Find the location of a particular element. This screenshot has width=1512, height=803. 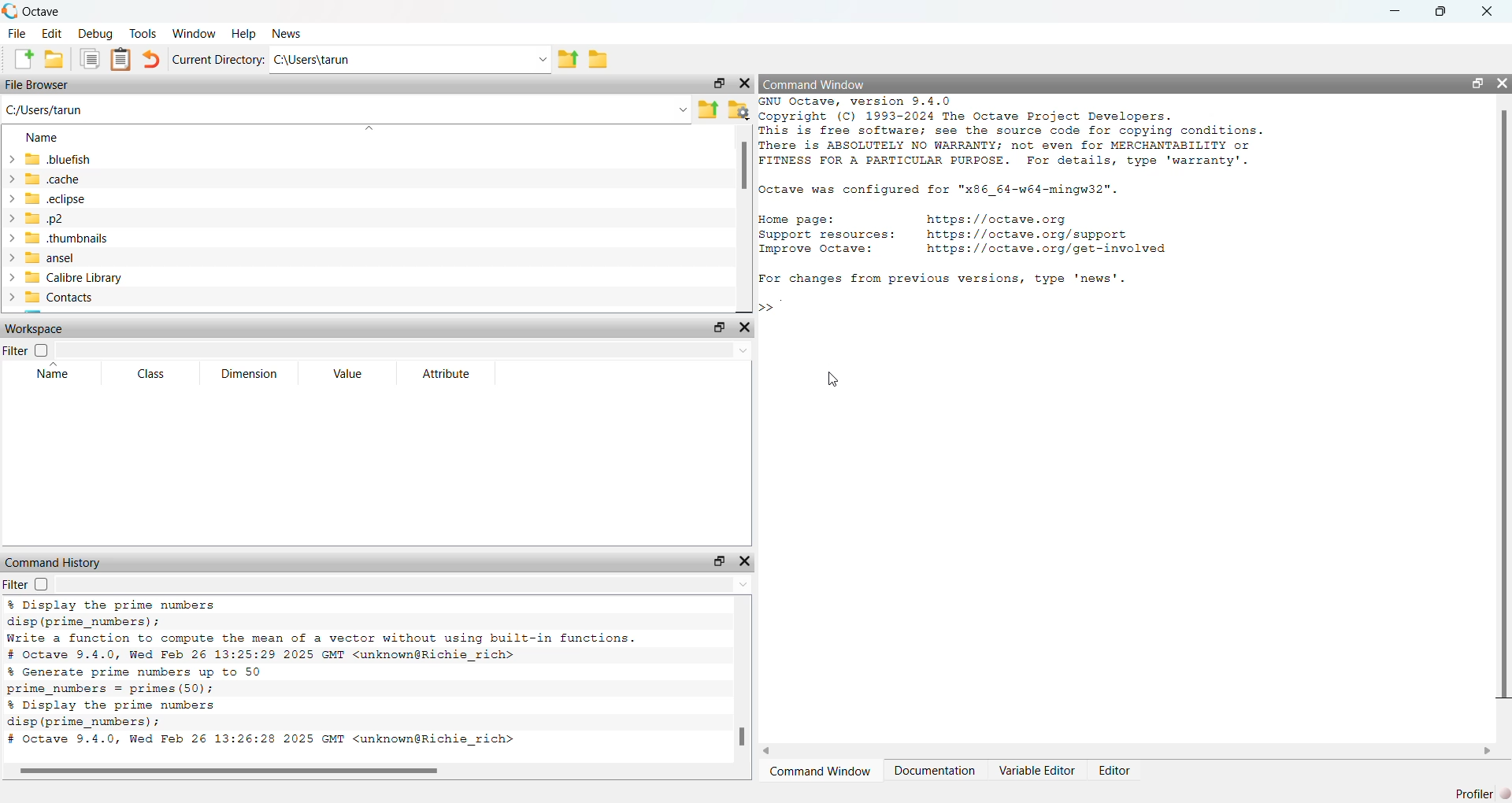

add file is located at coordinates (25, 58).